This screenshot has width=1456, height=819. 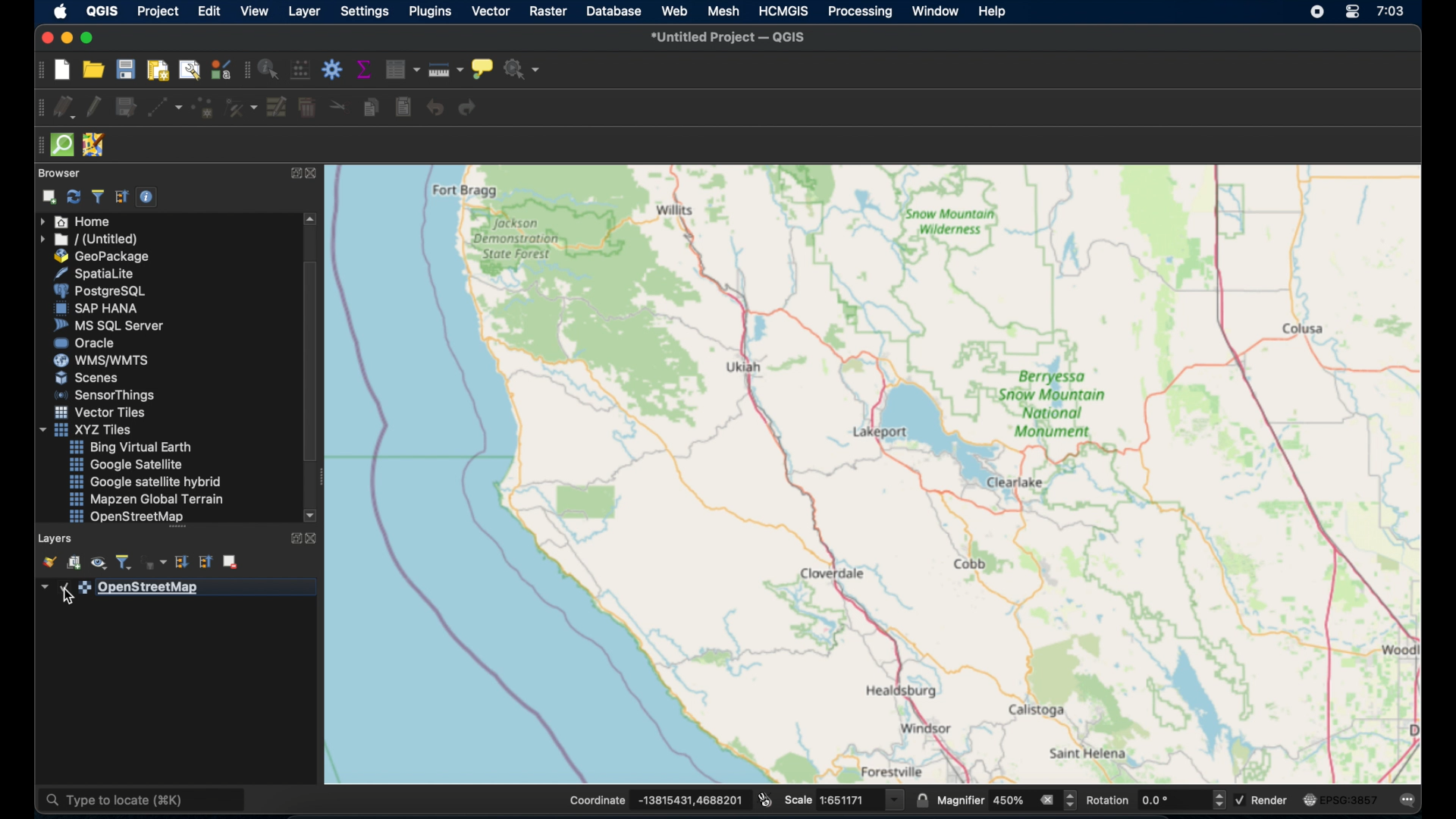 I want to click on JOSM remote, so click(x=95, y=145).